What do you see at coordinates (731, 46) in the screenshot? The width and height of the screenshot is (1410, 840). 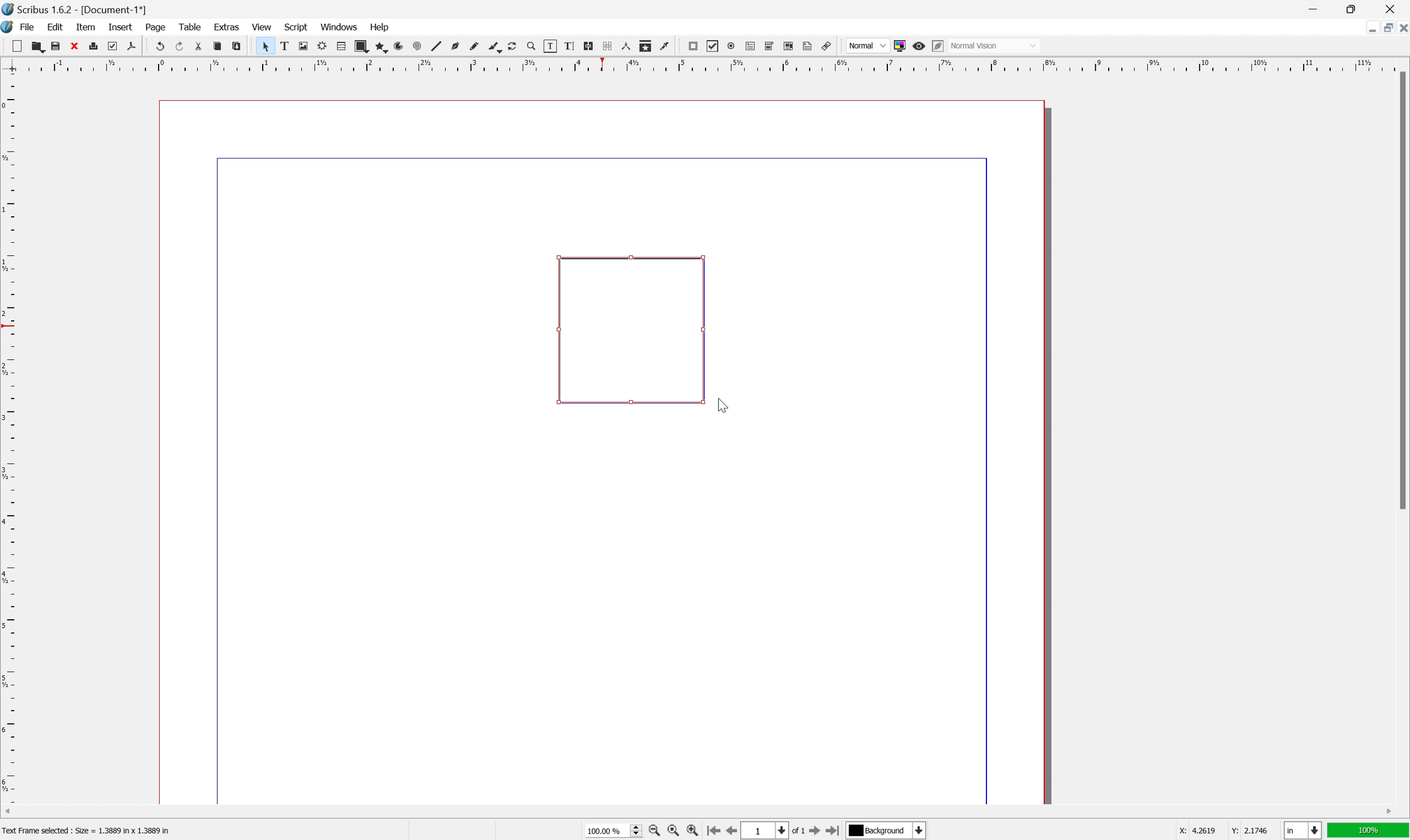 I see `pdf radio button` at bounding box center [731, 46].